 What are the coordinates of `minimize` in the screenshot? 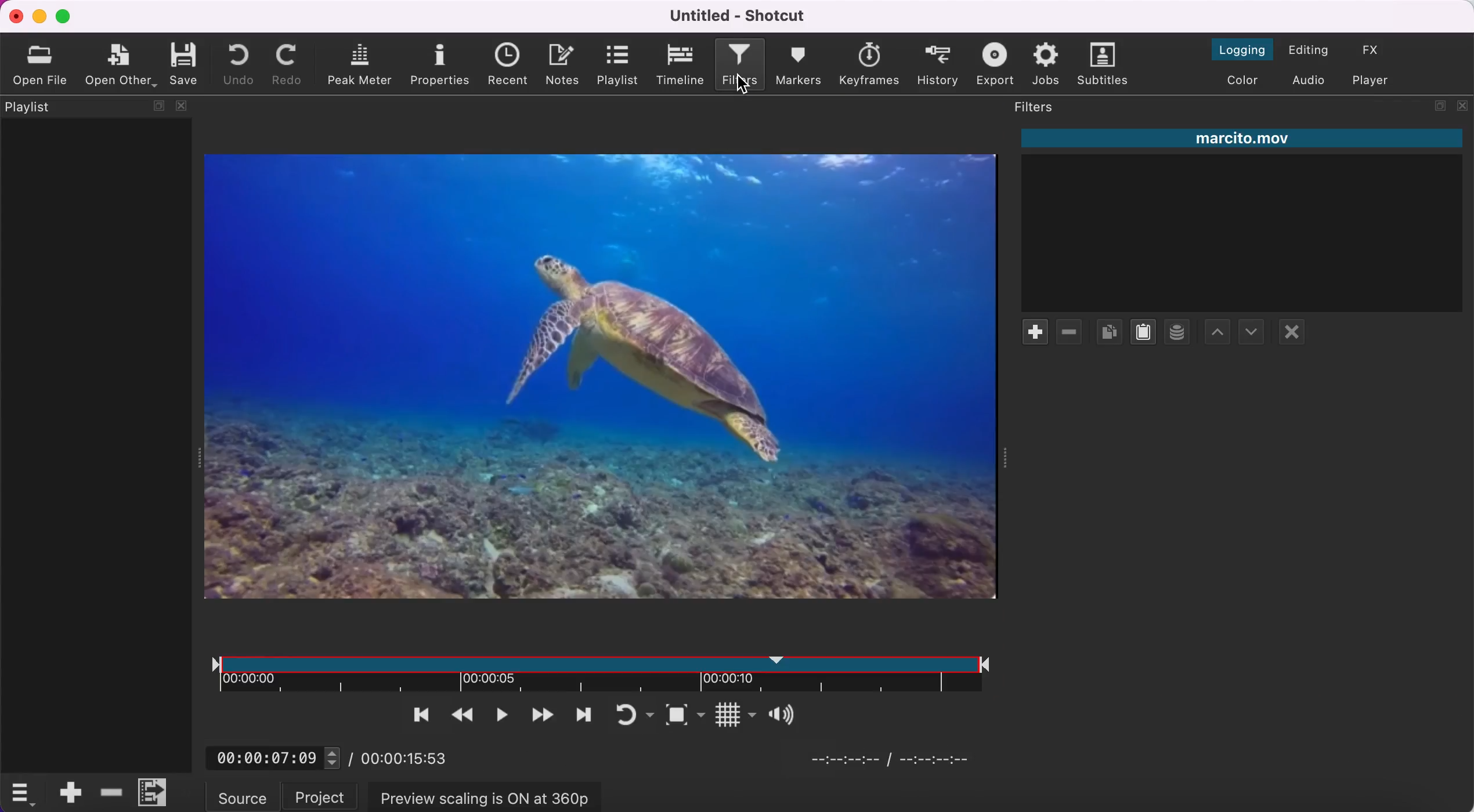 It's located at (39, 16).